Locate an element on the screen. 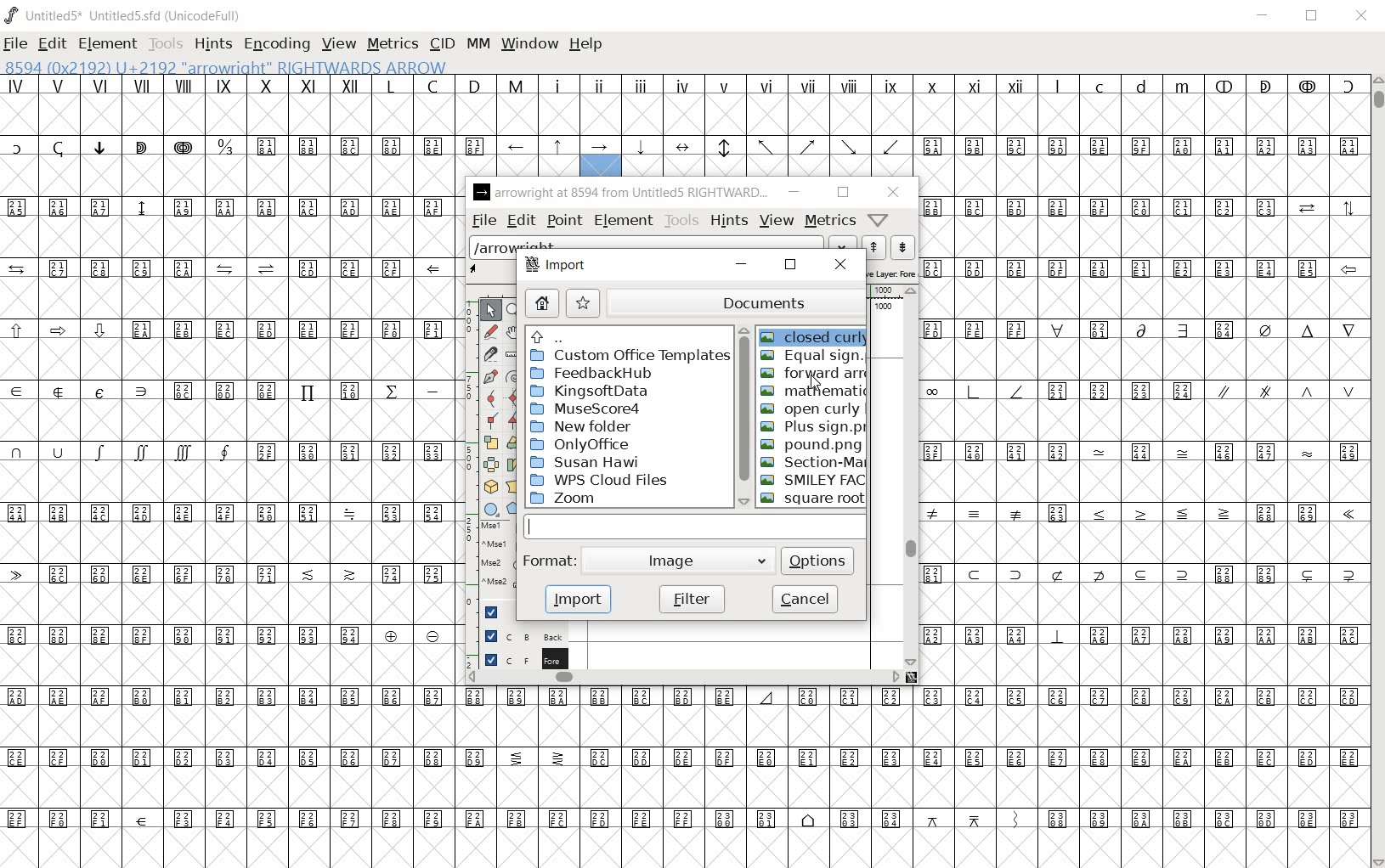 The width and height of the screenshot is (1385, 868). show the previous word on the list is located at coordinates (902, 247).